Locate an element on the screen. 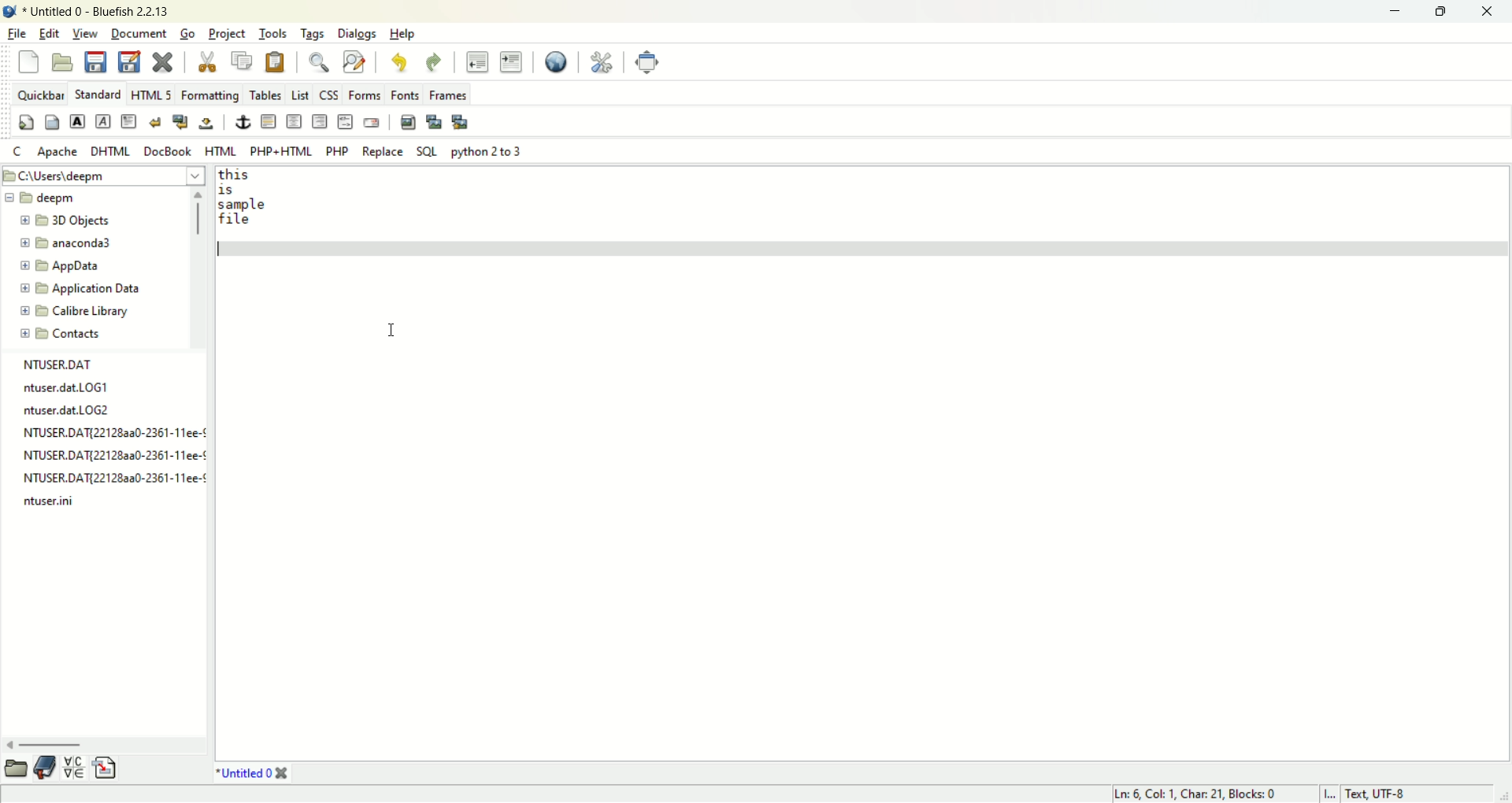  strong is located at coordinates (76, 120).